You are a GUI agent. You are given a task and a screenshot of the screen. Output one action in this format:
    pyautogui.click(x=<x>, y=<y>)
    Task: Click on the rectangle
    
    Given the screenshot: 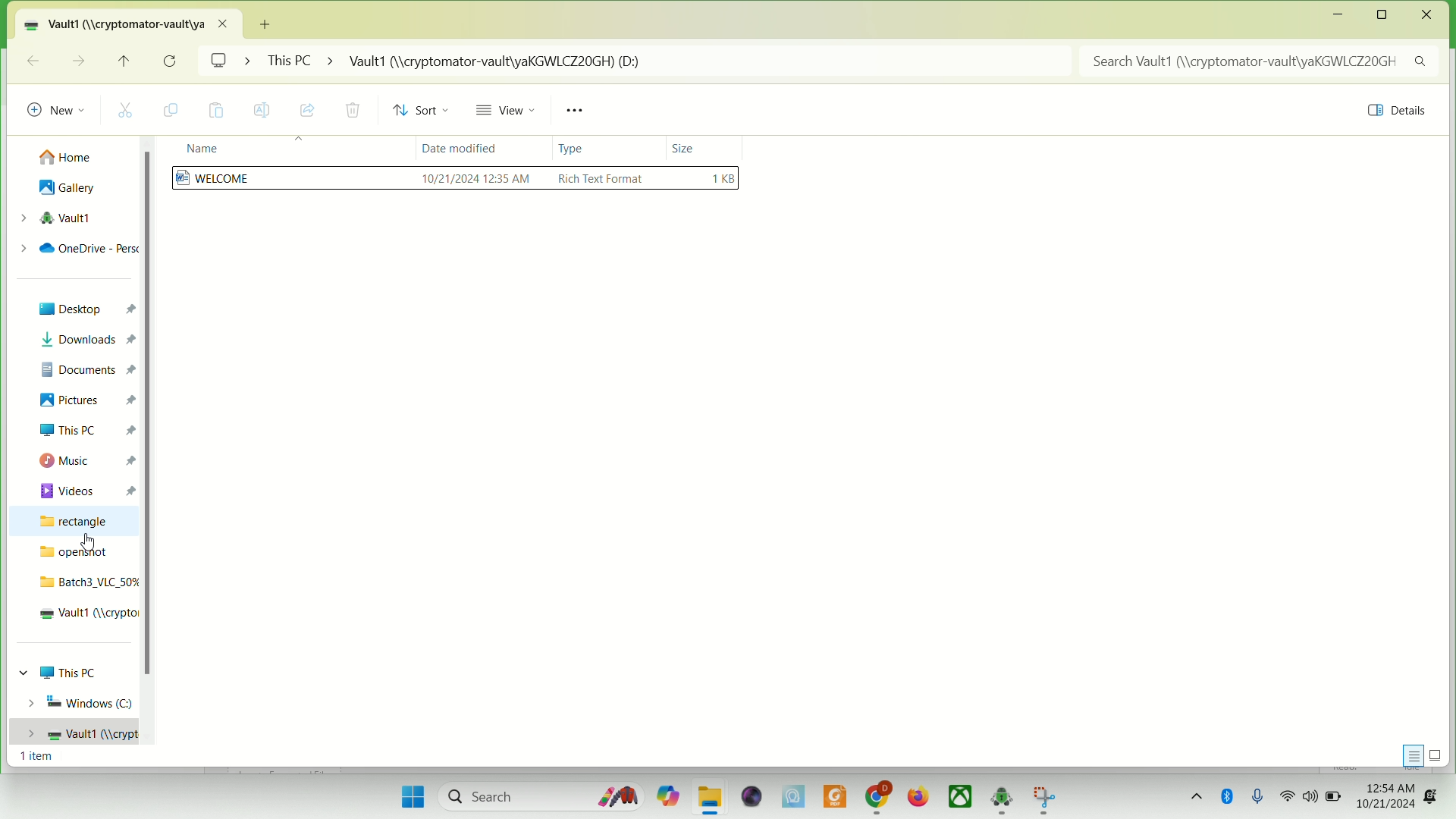 What is the action you would take?
    pyautogui.click(x=72, y=522)
    